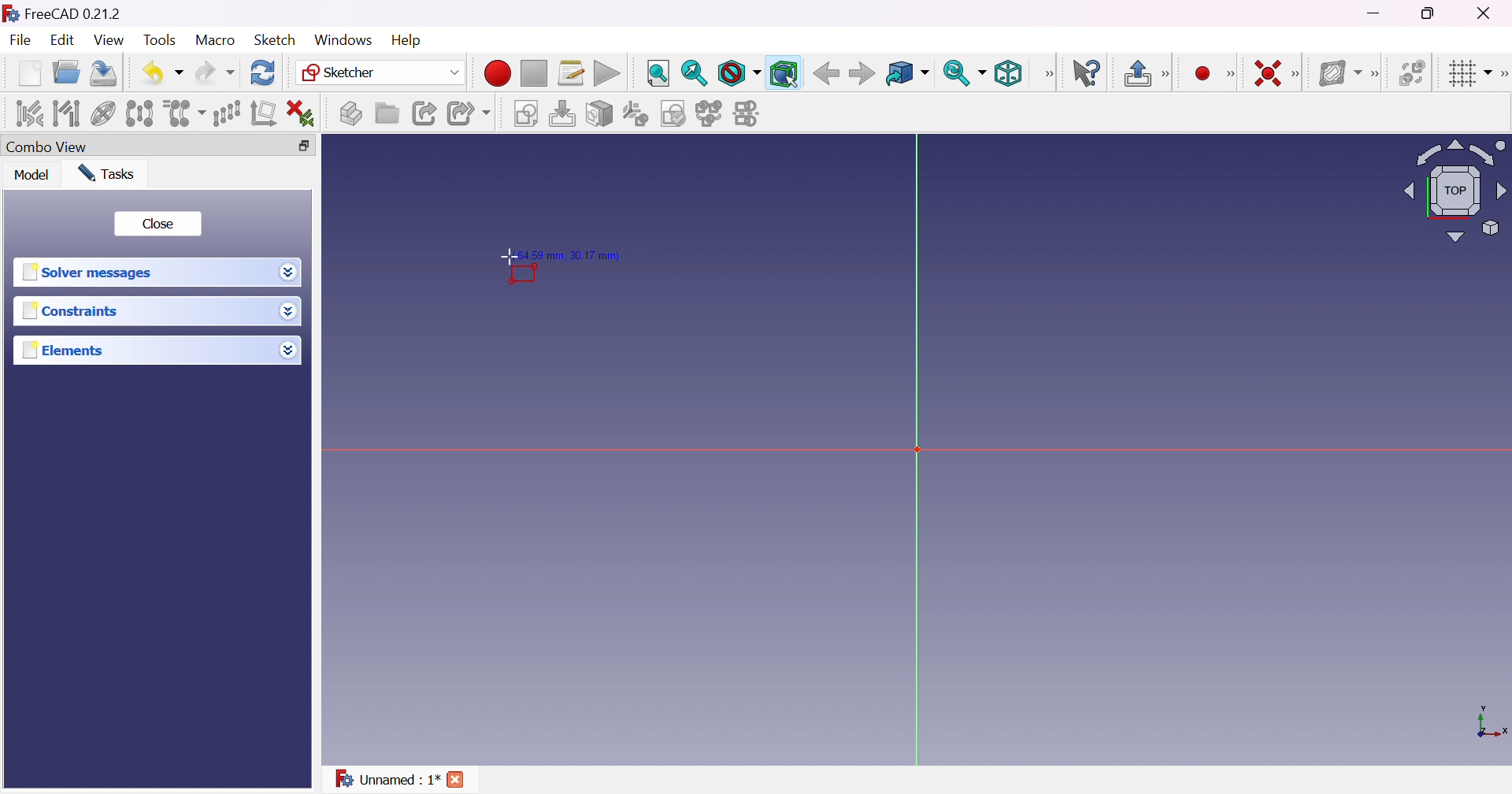  I want to click on Merge sketches, so click(709, 114).